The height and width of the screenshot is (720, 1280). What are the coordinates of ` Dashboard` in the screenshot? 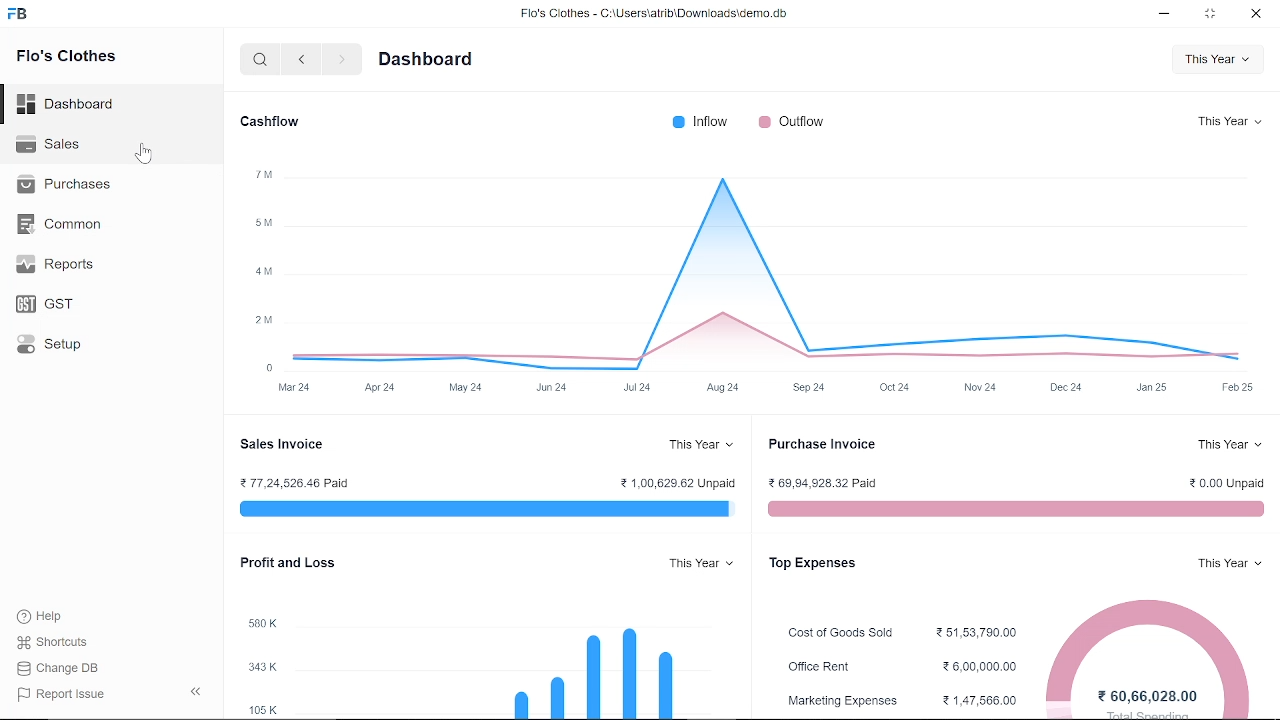 It's located at (428, 61).